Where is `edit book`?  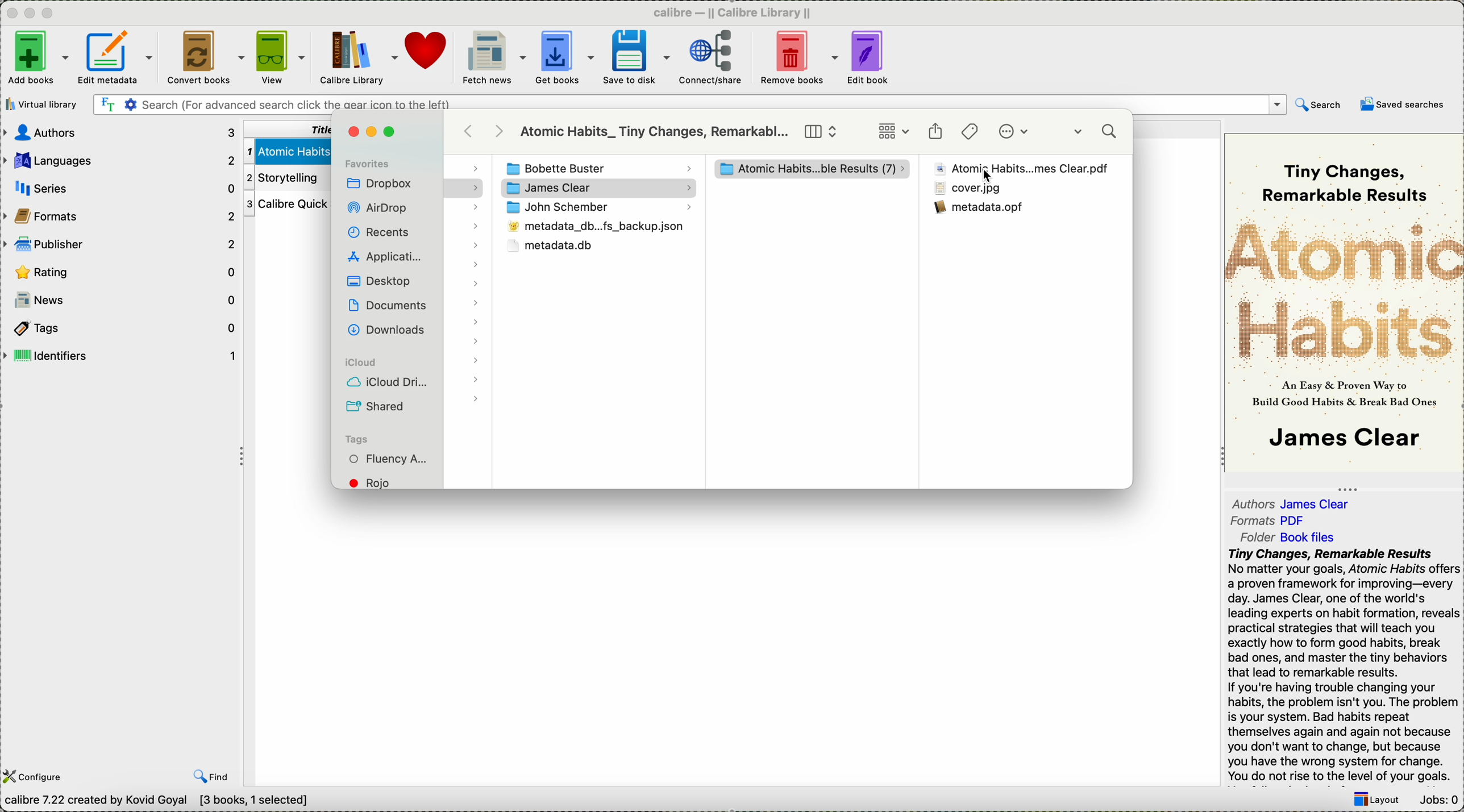 edit book is located at coordinates (870, 59).